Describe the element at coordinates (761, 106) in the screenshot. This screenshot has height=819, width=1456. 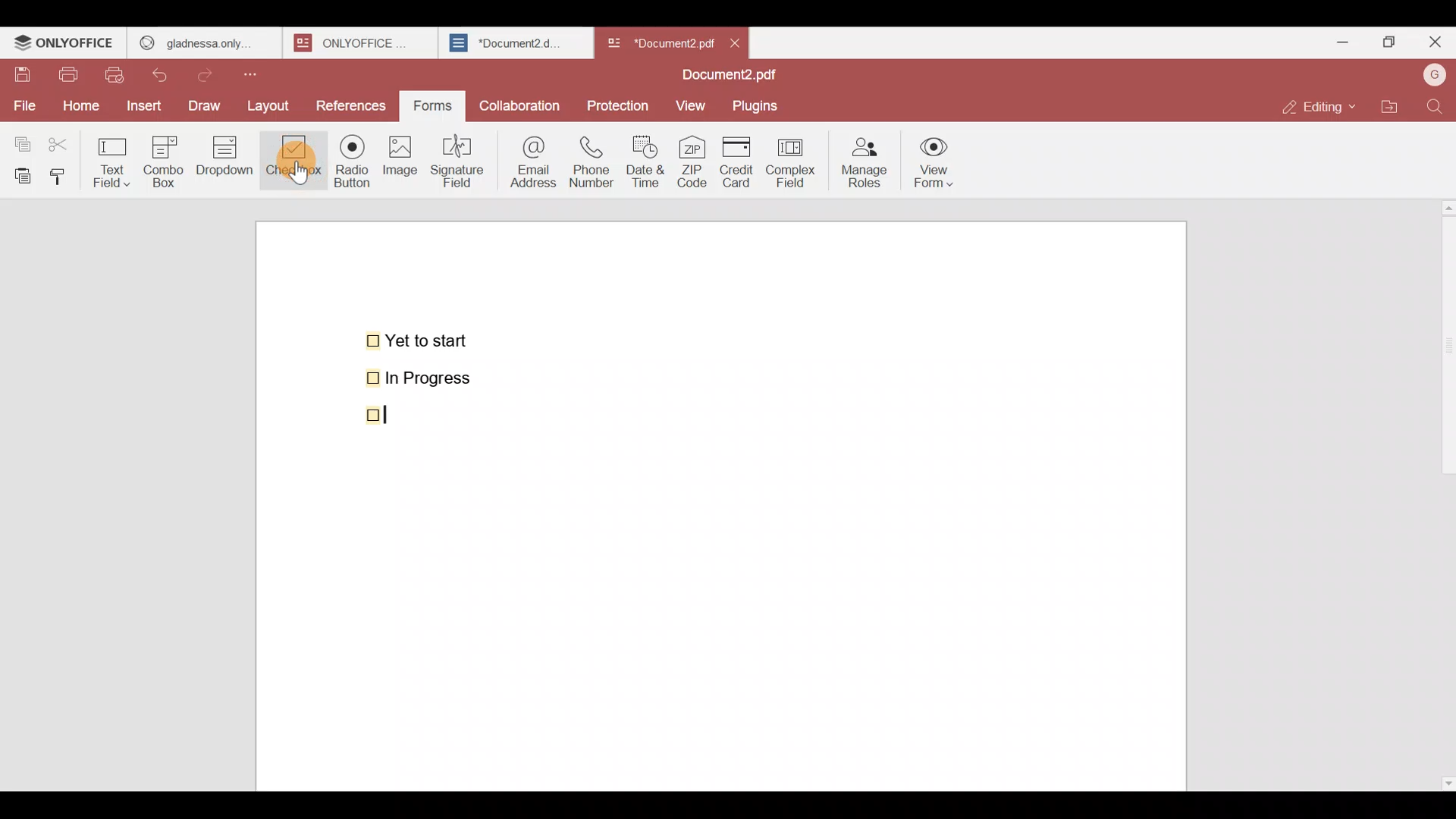
I see `Plugins` at that location.